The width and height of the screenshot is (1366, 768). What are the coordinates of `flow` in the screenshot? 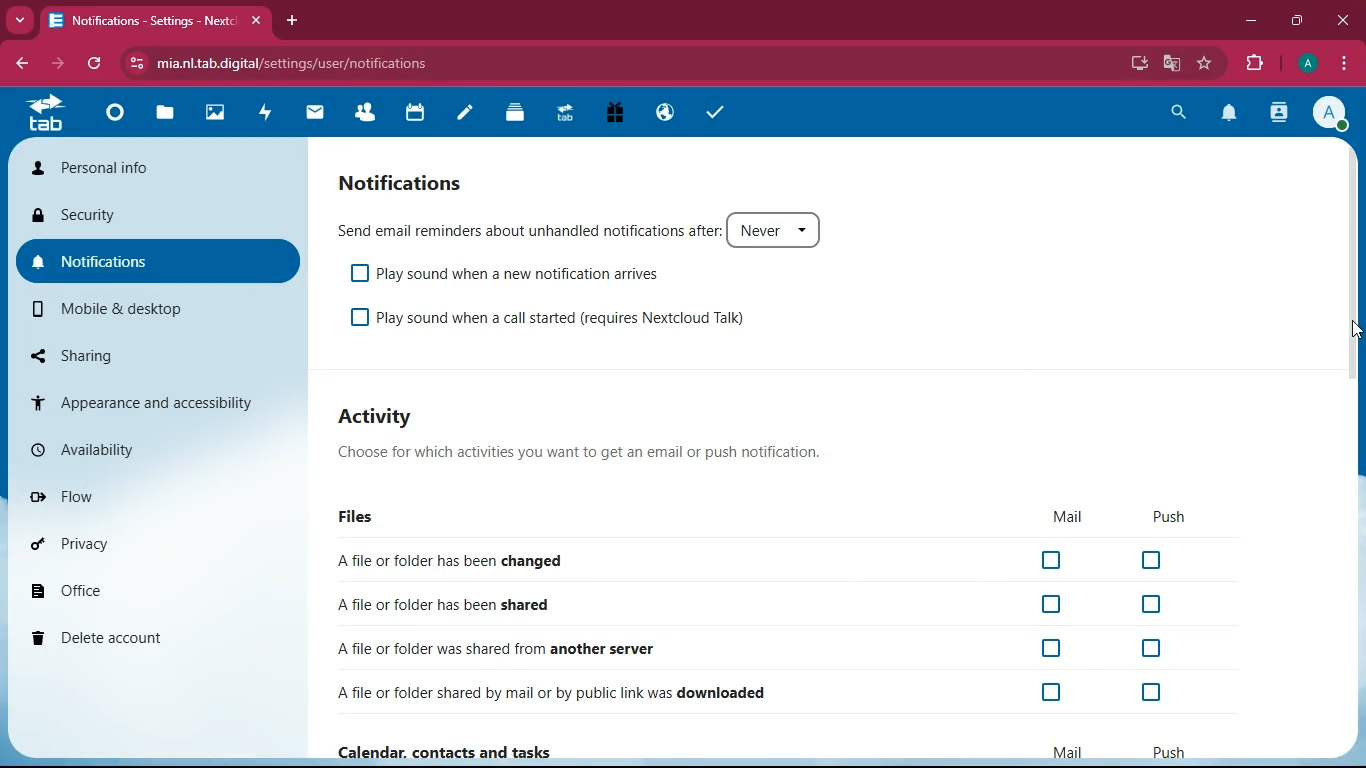 It's located at (154, 493).